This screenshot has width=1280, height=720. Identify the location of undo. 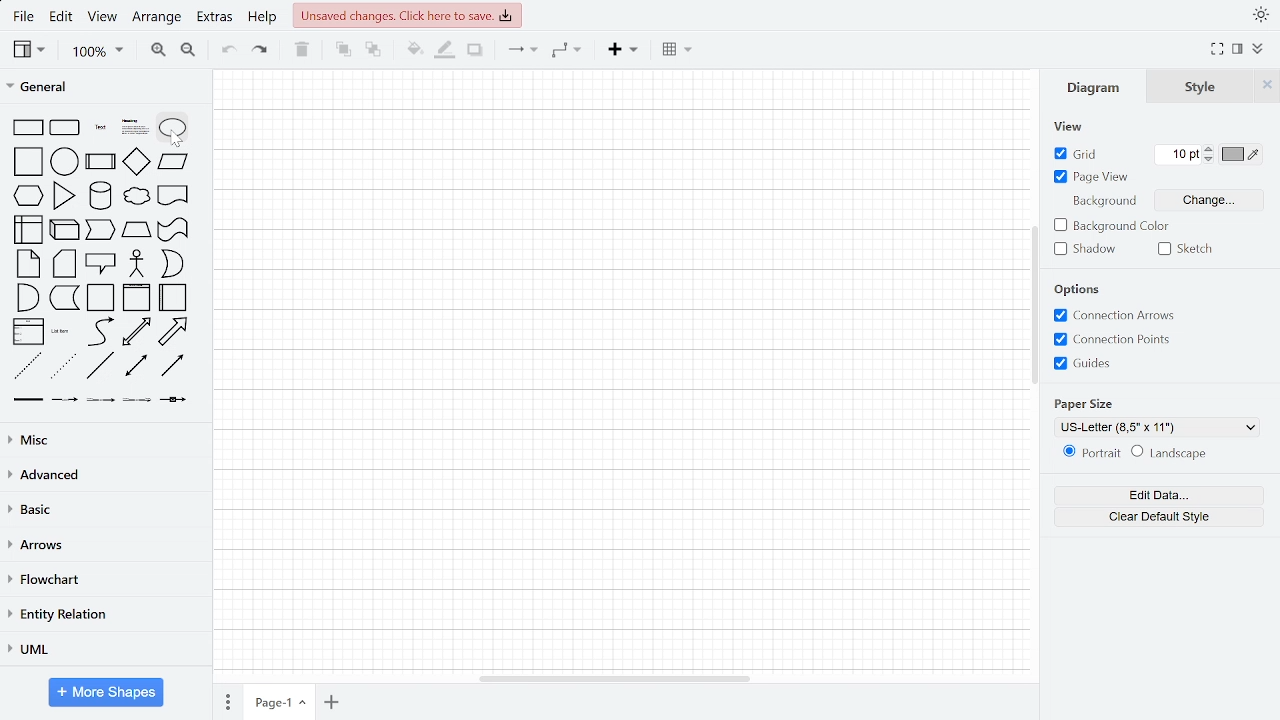
(225, 50).